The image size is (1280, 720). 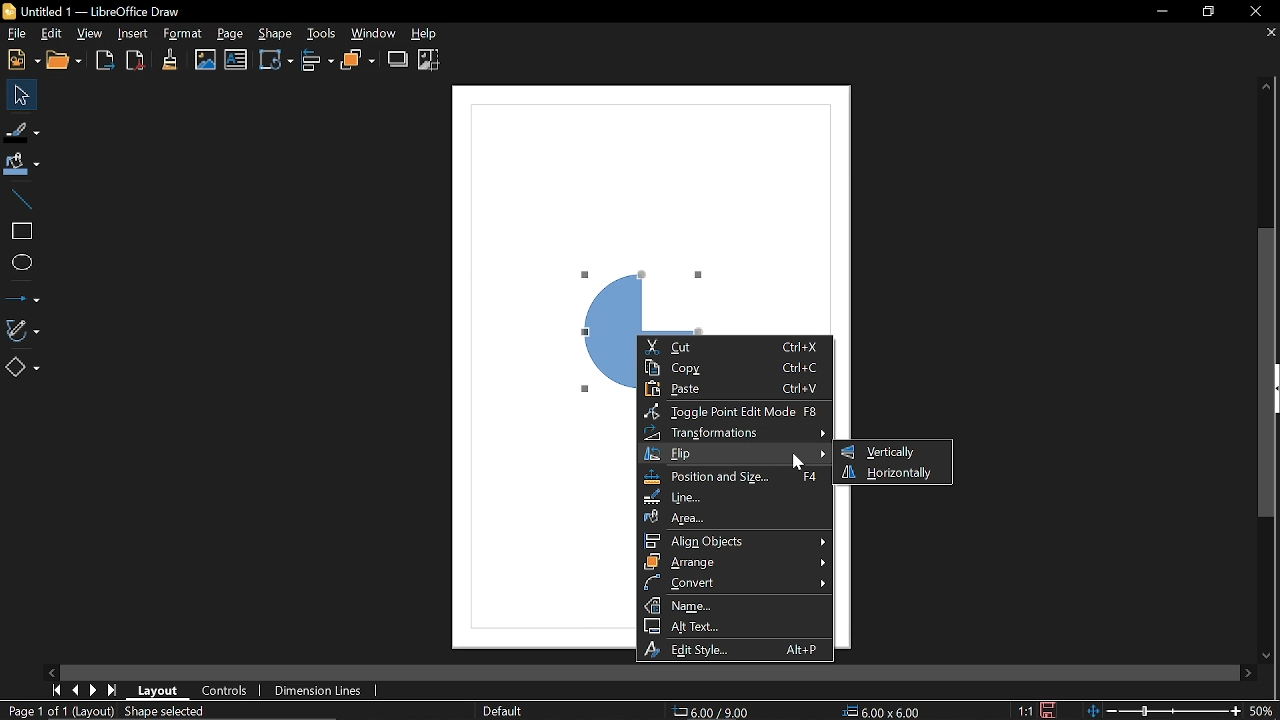 What do you see at coordinates (1268, 373) in the screenshot?
I see `Vertical scrollbar ` at bounding box center [1268, 373].